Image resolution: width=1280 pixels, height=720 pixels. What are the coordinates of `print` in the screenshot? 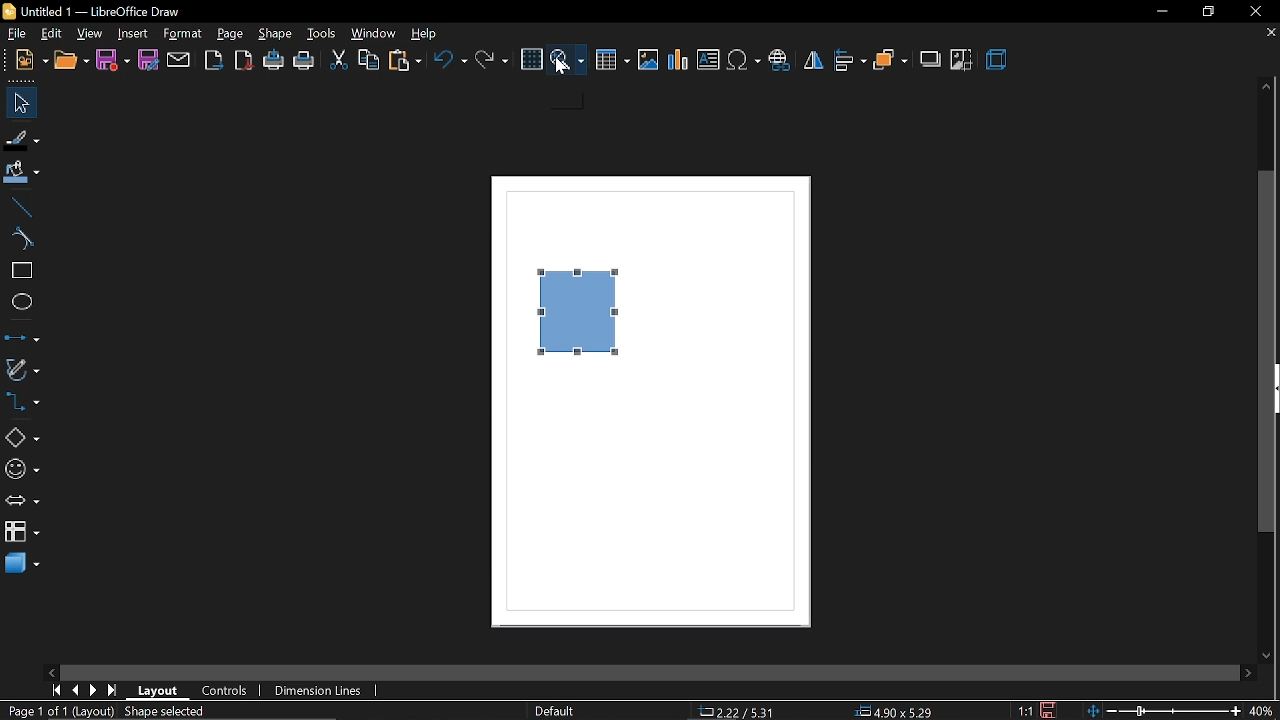 It's located at (304, 61).